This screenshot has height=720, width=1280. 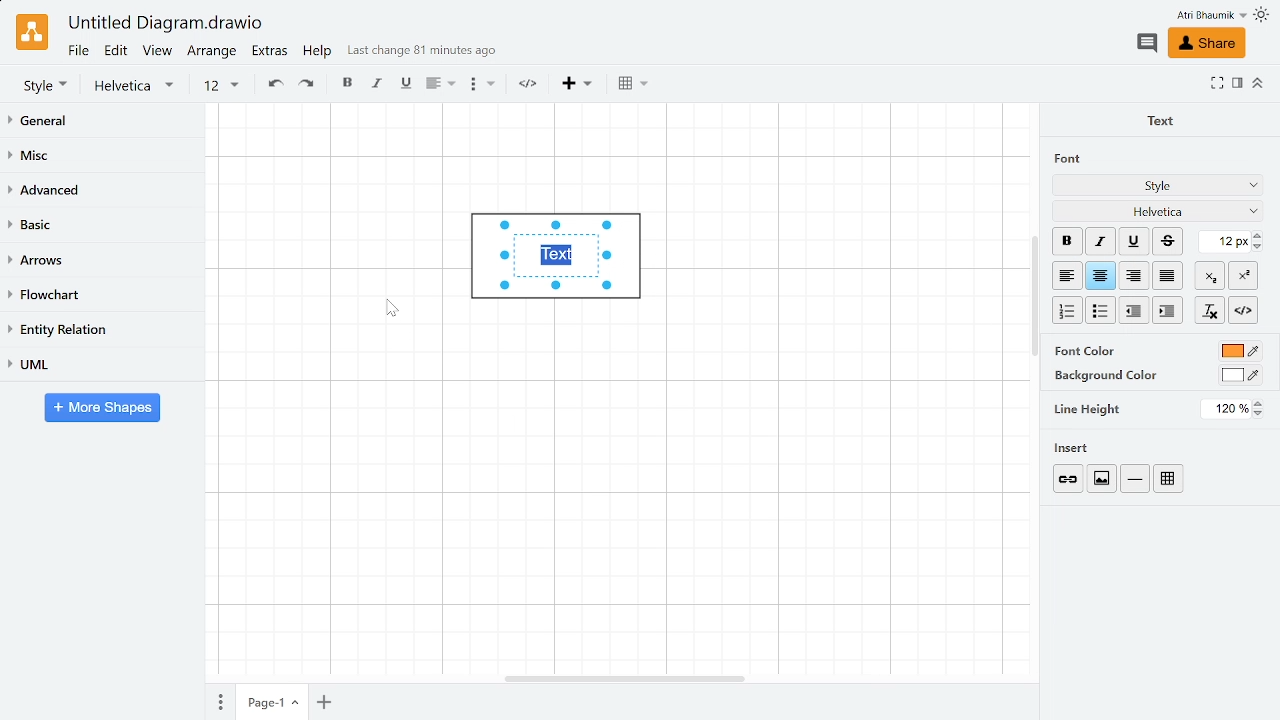 I want to click on Theme, so click(x=1264, y=15).